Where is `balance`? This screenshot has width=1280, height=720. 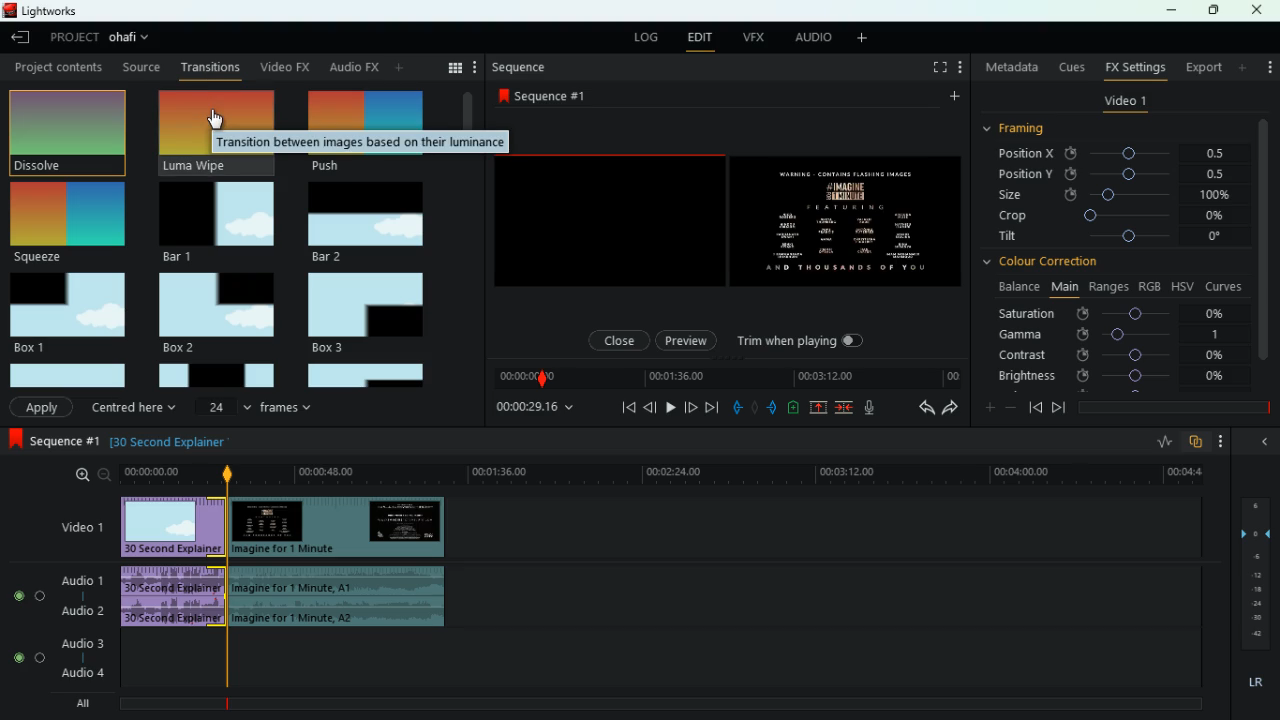
balance is located at coordinates (1016, 287).